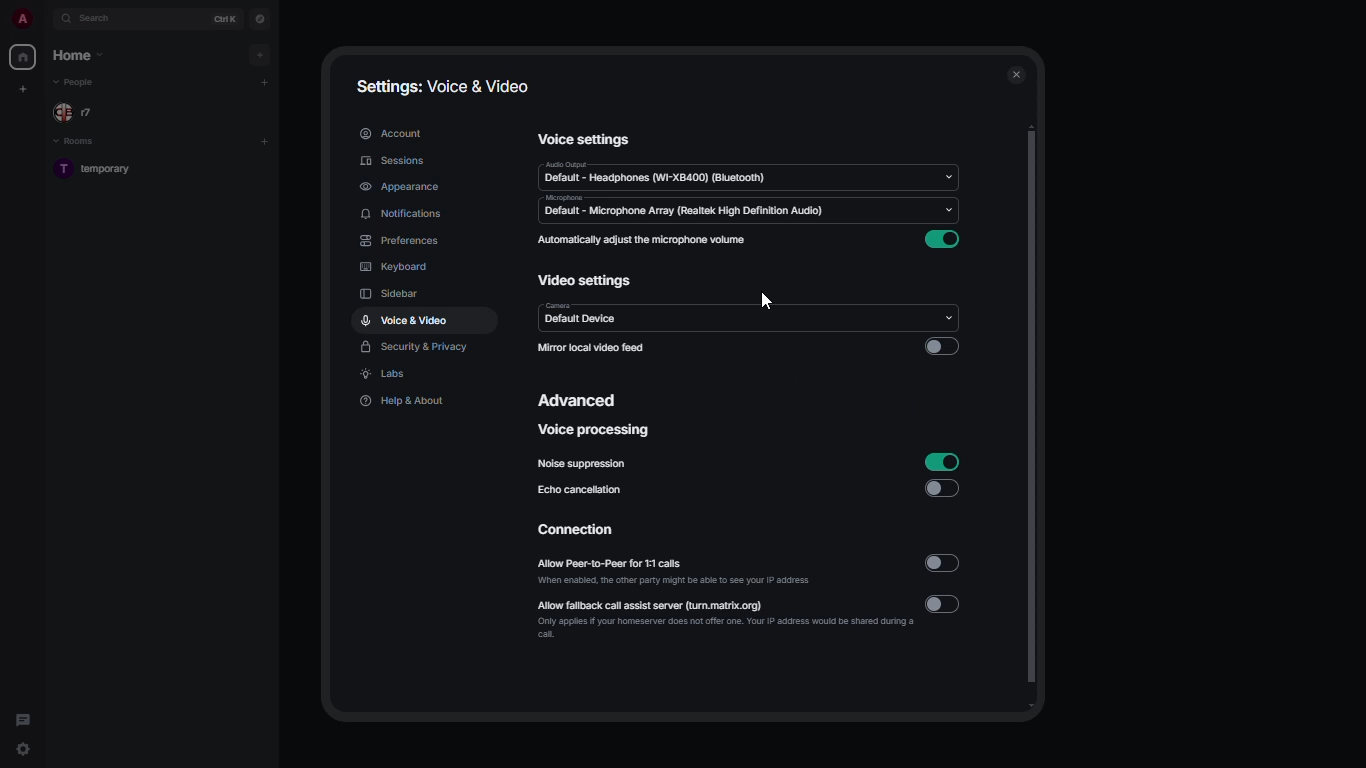 This screenshot has height=768, width=1366. What do you see at coordinates (20, 89) in the screenshot?
I see `create new space` at bounding box center [20, 89].